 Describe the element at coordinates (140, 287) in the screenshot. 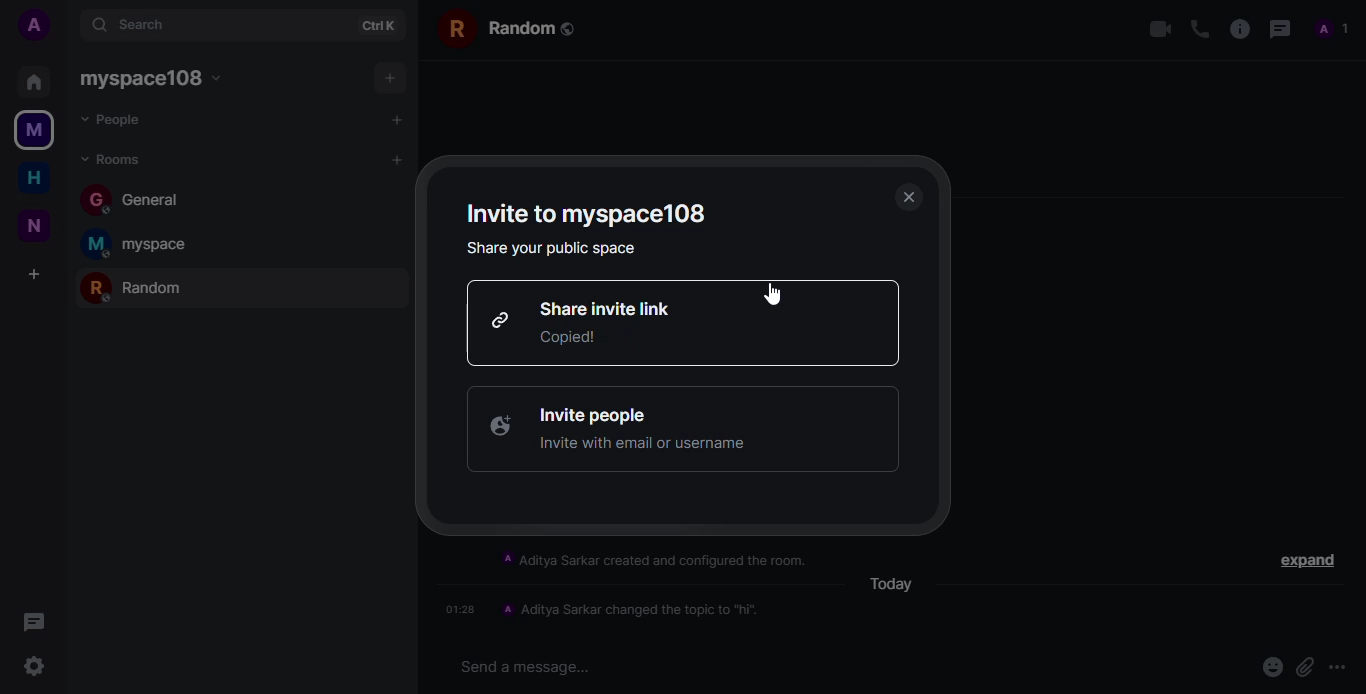

I see `random` at that location.